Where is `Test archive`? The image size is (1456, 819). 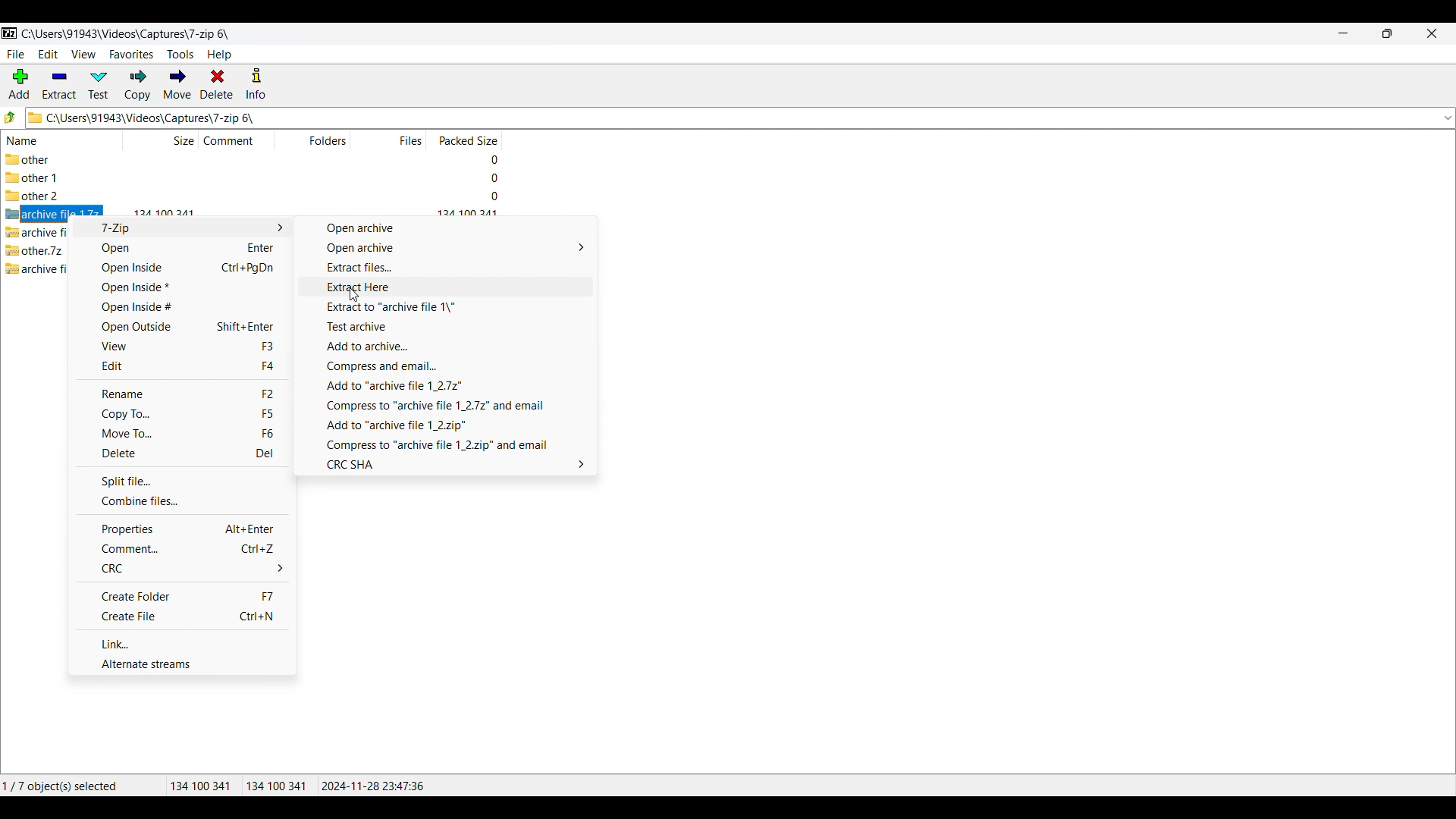
Test archive is located at coordinates (447, 327).